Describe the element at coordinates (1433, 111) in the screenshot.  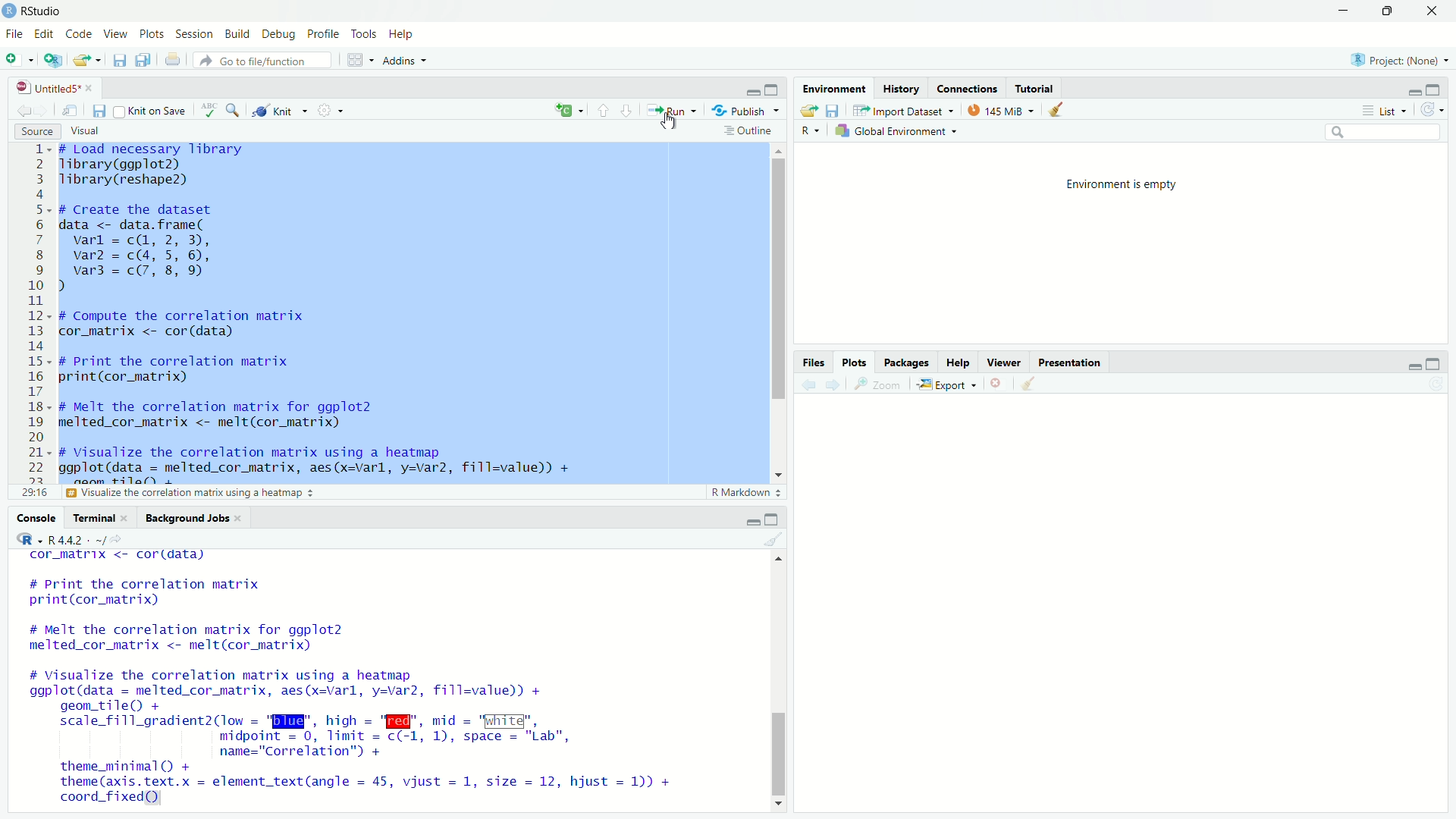
I see `refresh` at that location.